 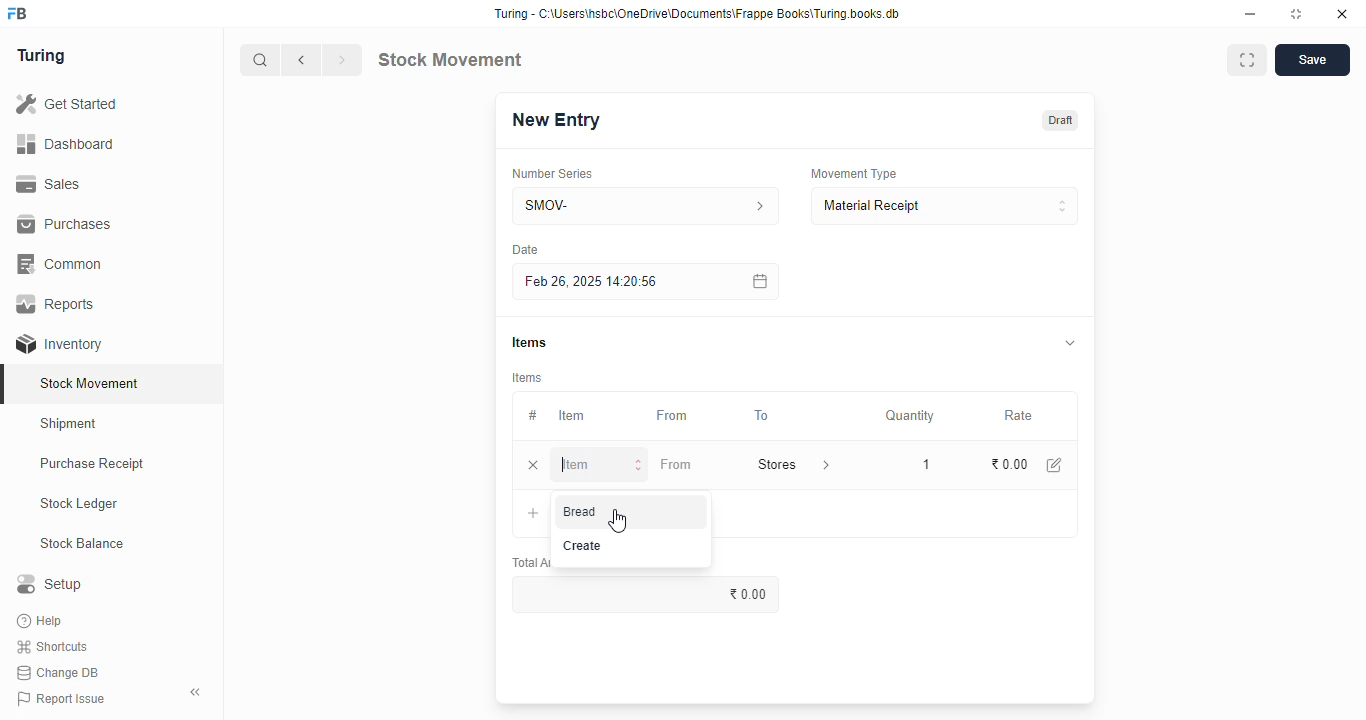 I want to click on 1, so click(x=922, y=463).